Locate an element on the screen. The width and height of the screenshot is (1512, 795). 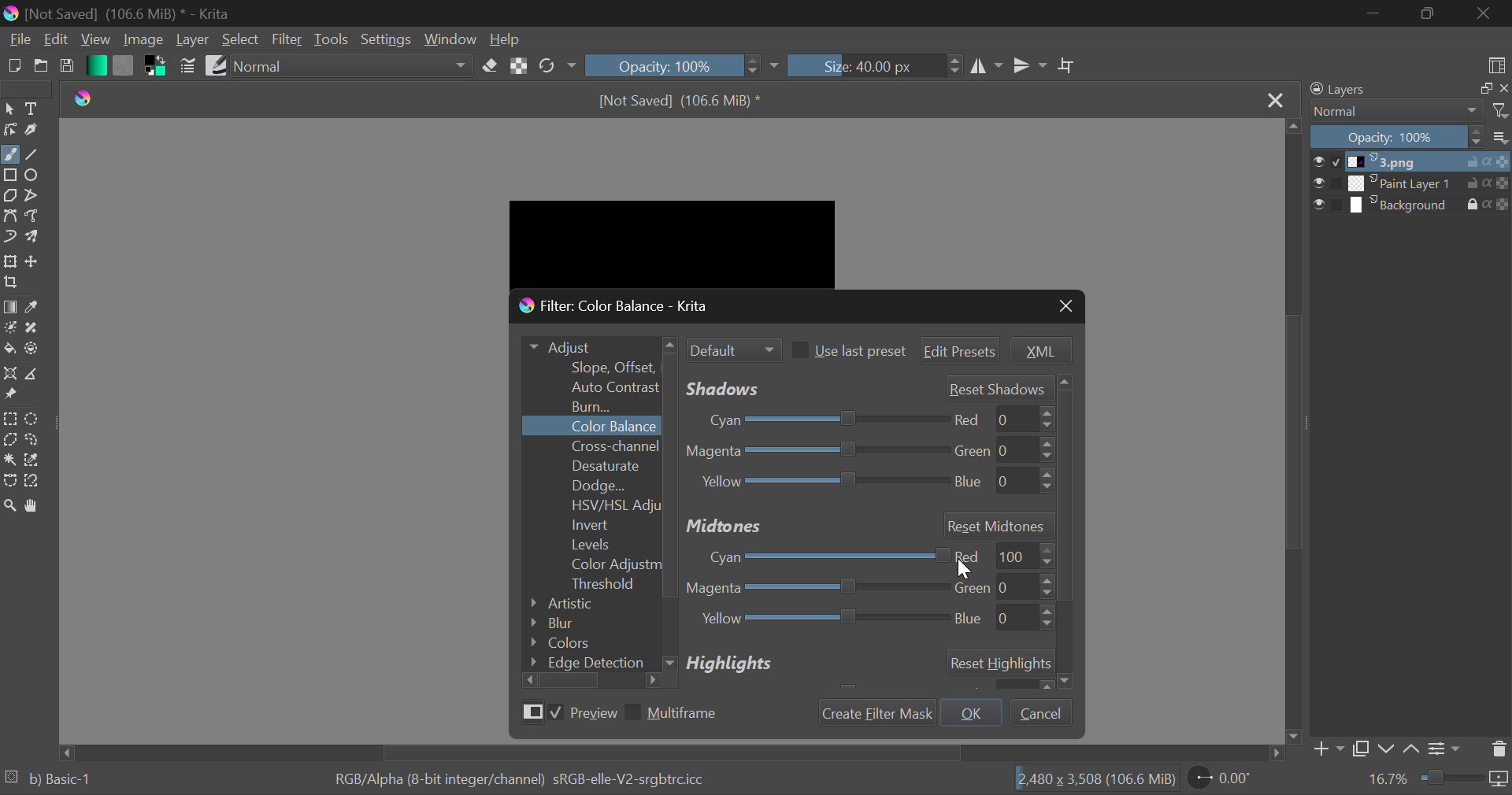
16.7% is located at coordinates (1382, 781).